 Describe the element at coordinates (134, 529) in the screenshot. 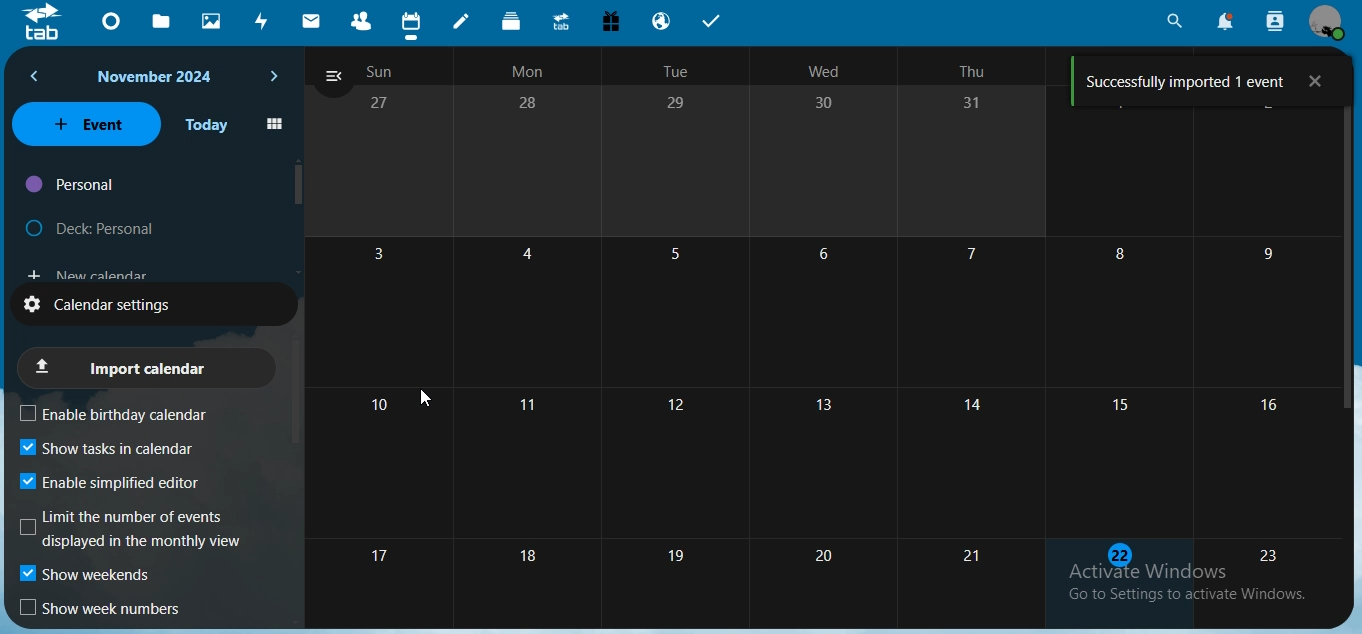

I see `limit the number of events displayed in the monthly view` at that location.